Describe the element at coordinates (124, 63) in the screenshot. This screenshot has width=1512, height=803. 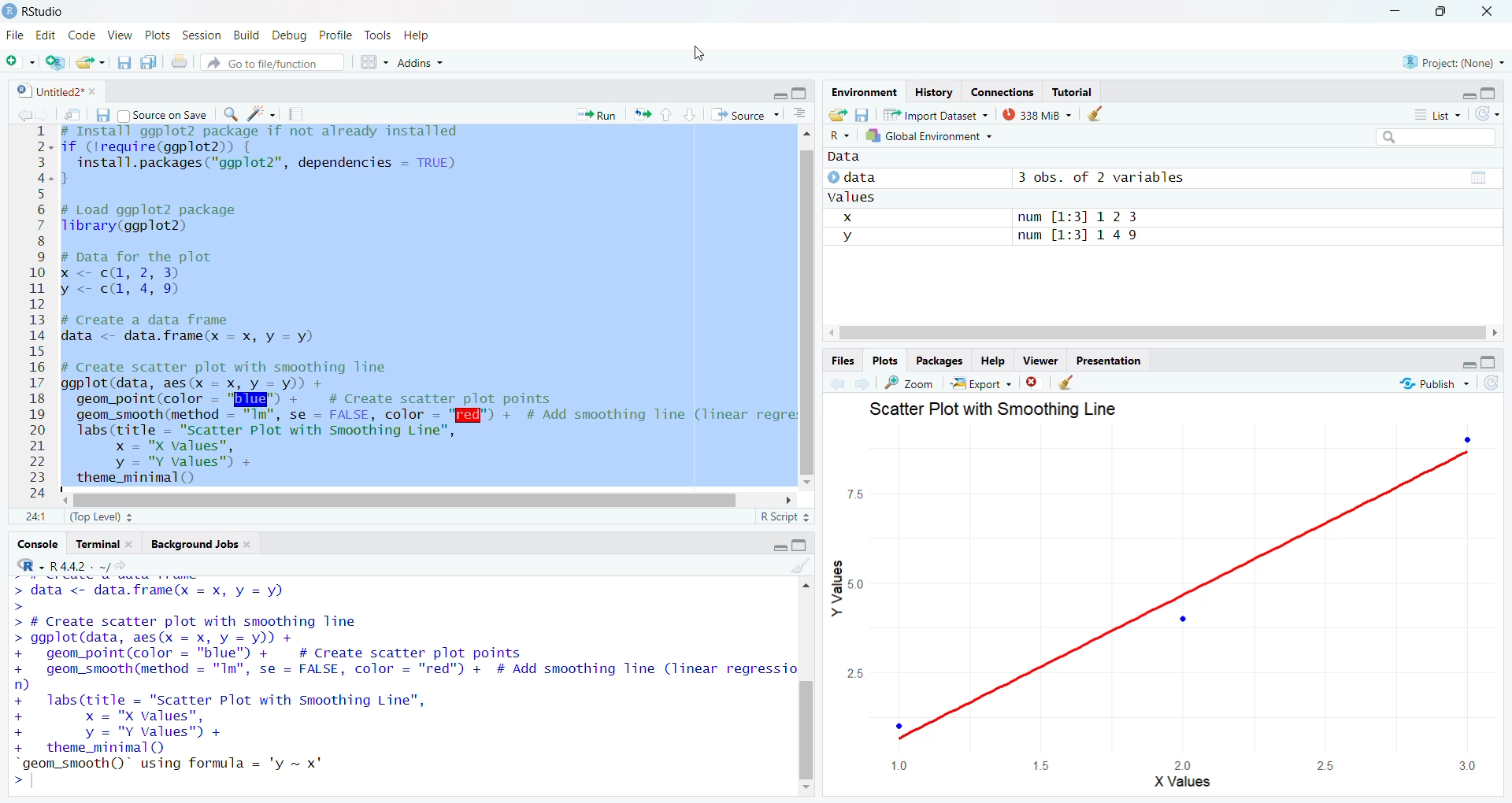
I see `save current document` at that location.